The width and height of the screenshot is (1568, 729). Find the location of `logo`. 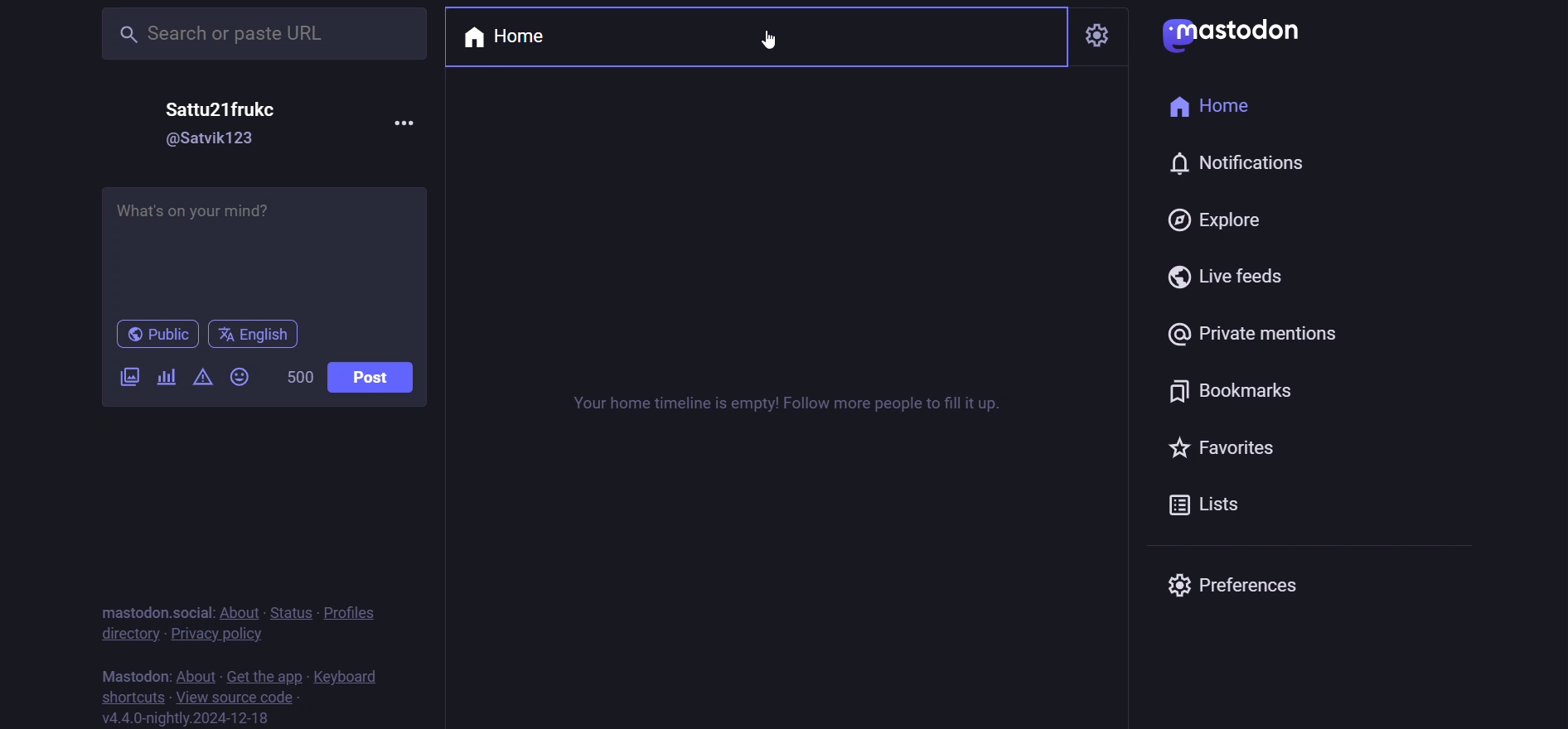

logo is located at coordinates (1236, 36).